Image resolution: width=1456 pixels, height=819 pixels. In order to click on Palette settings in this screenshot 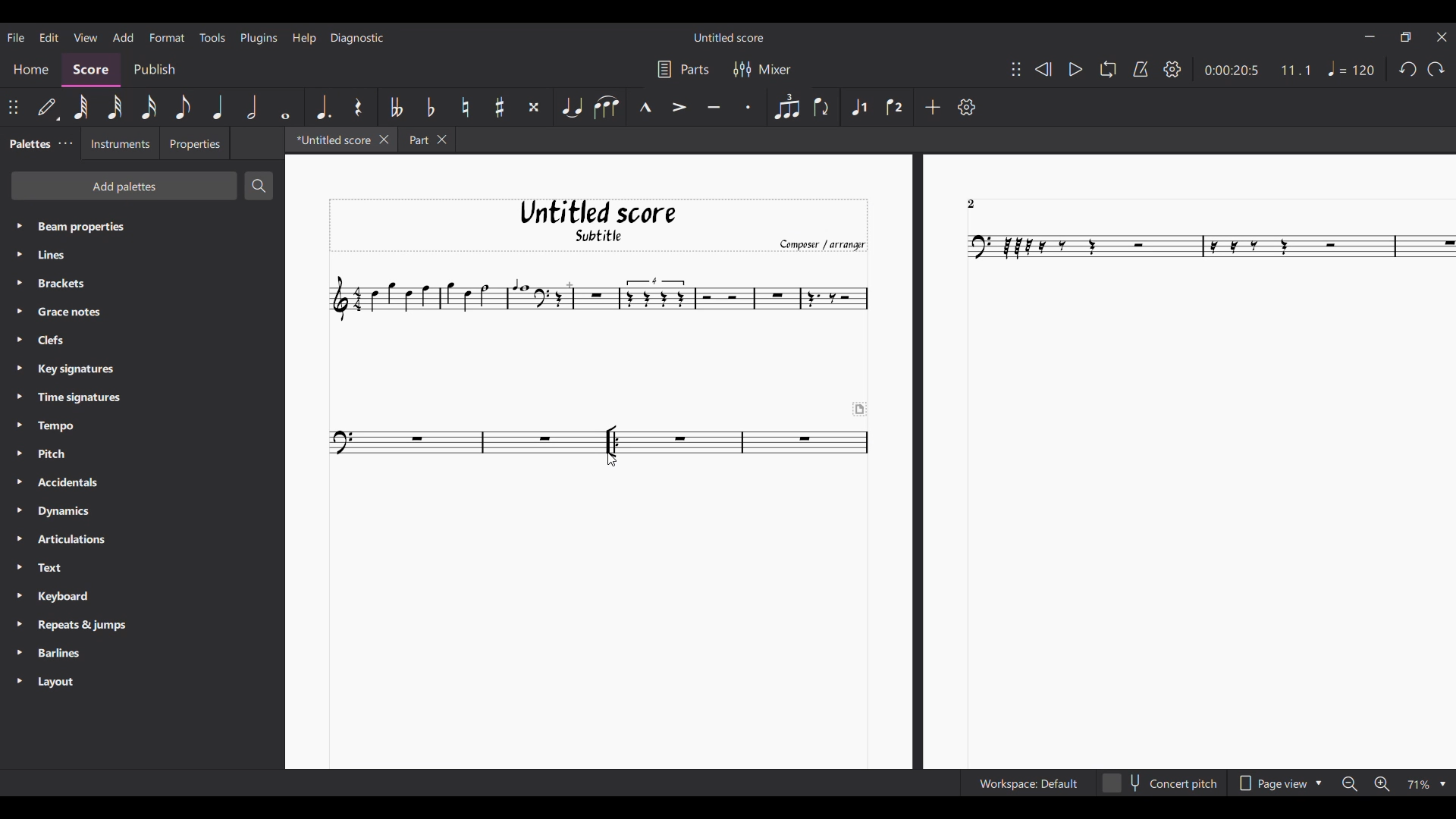, I will do `click(66, 143)`.